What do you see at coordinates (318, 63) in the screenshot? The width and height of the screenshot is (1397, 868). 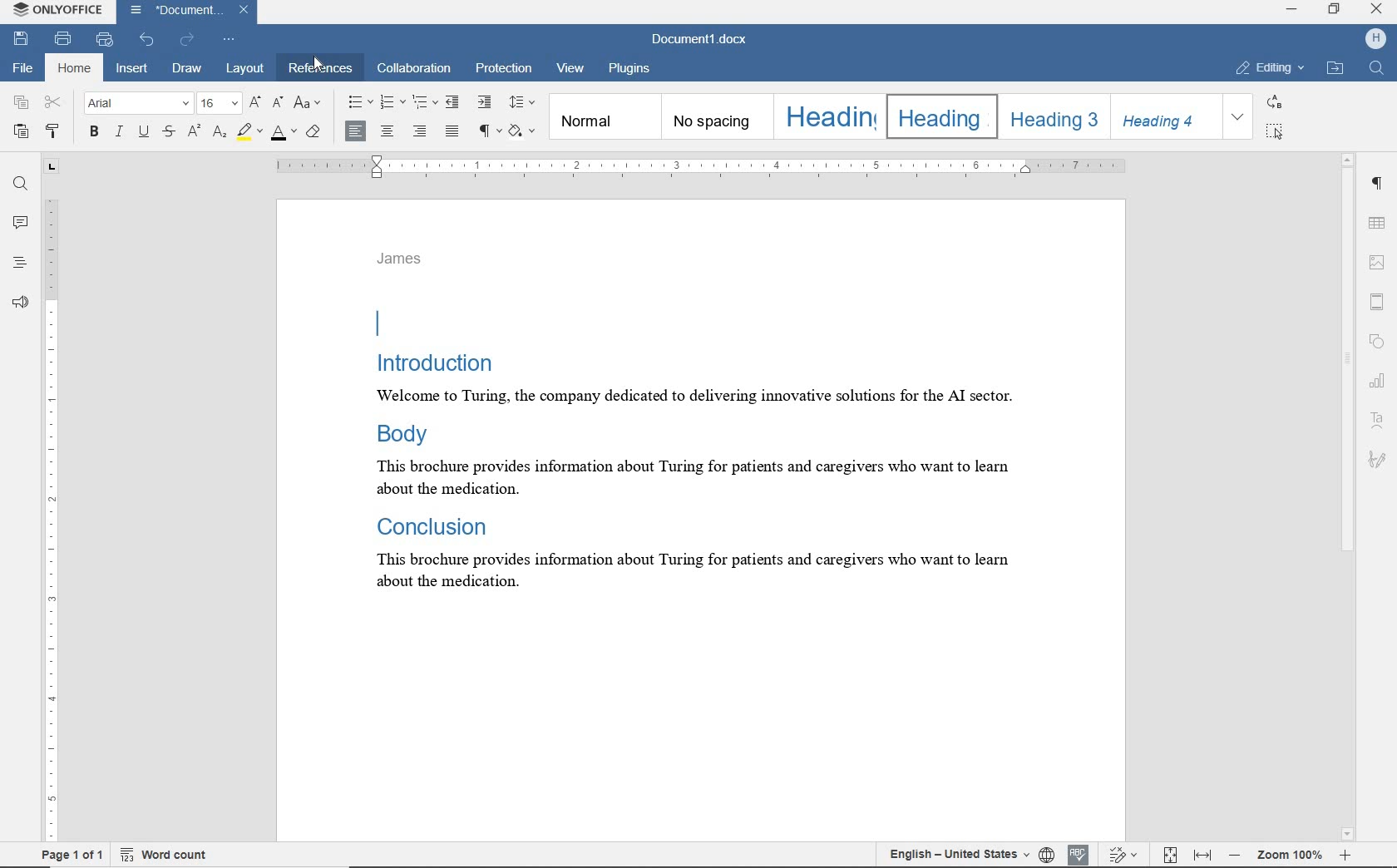 I see `Cursor` at bounding box center [318, 63].